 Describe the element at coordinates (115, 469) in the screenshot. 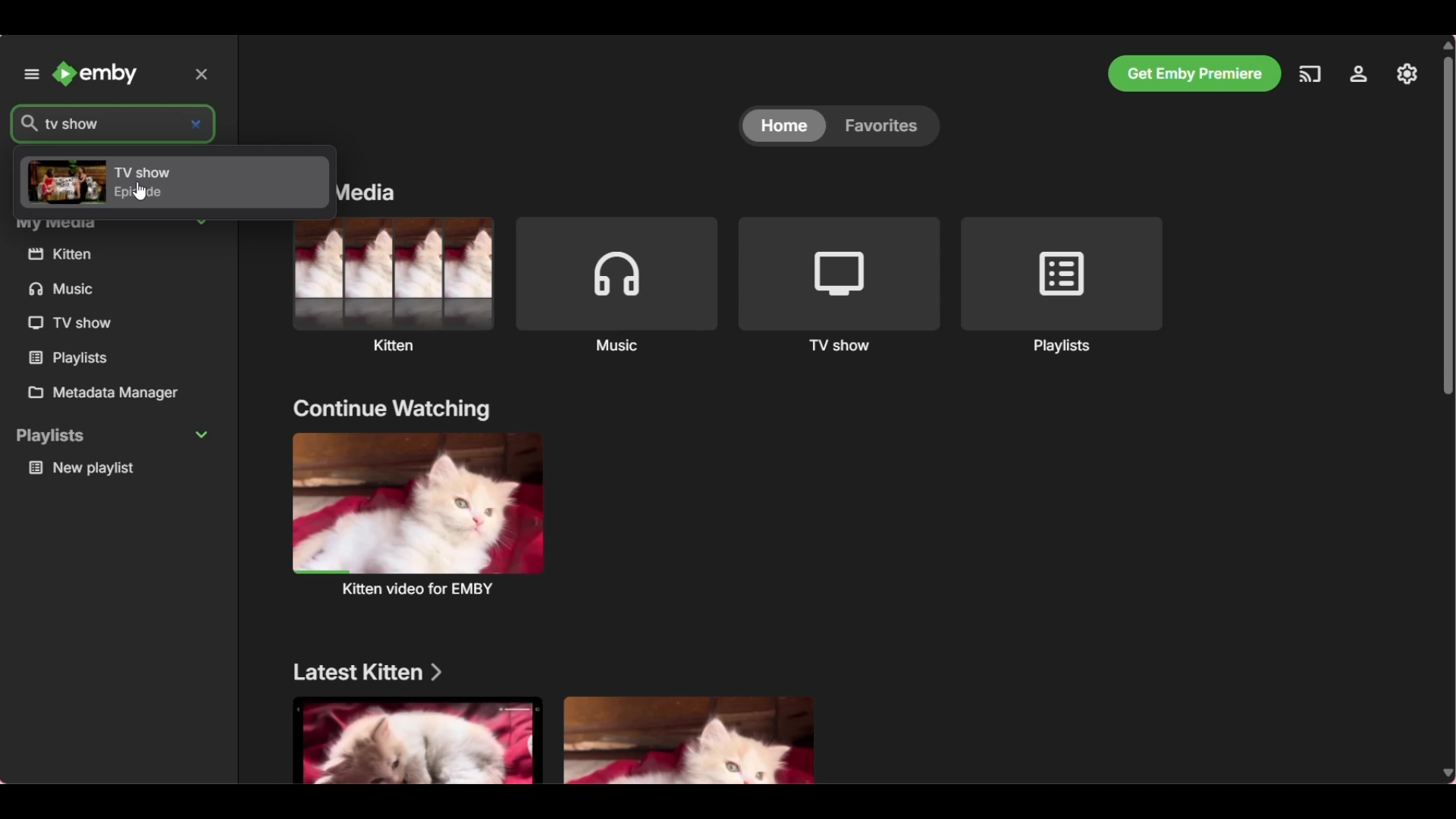

I see `new playlist` at that location.